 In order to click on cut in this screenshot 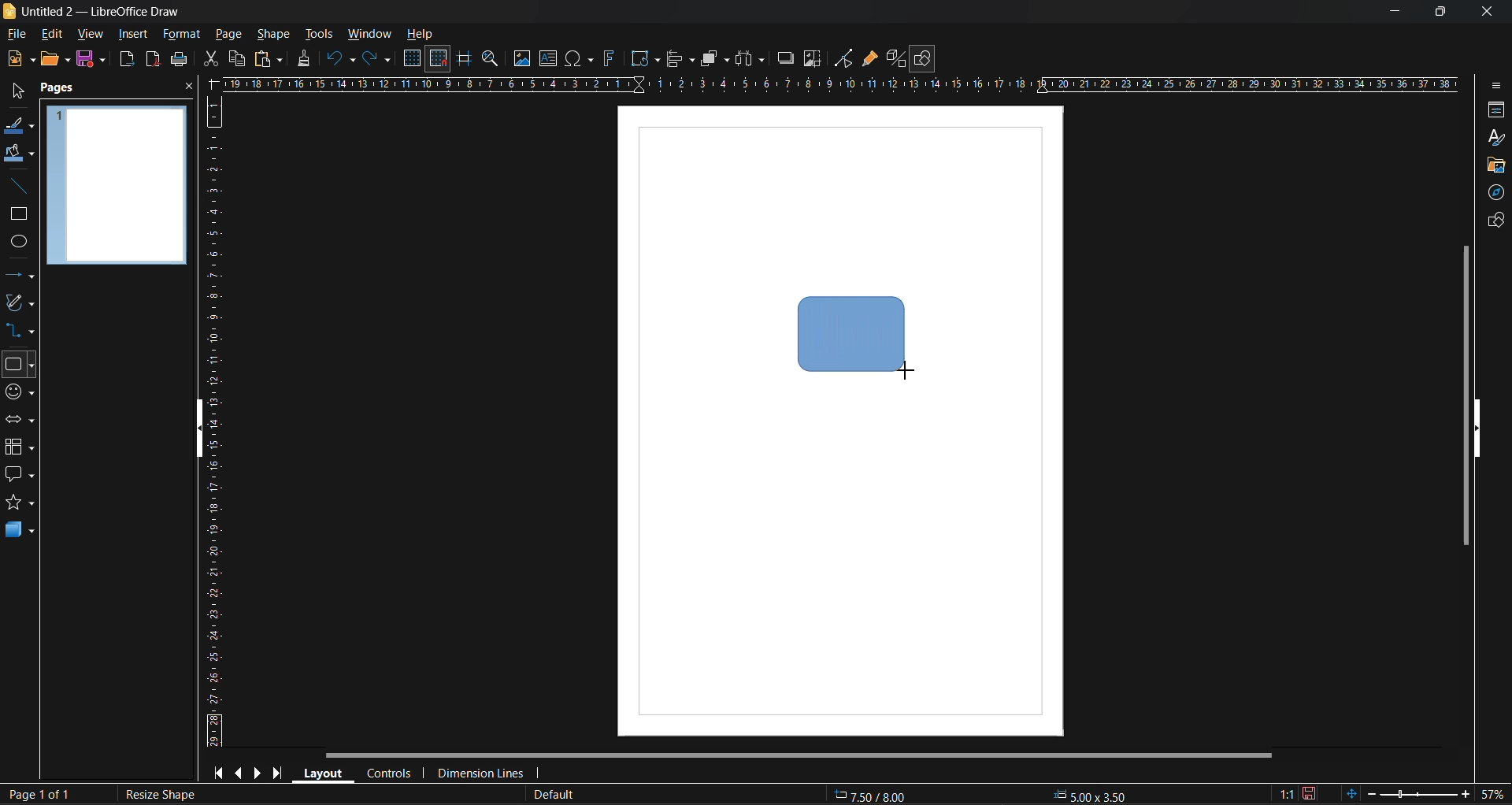, I will do `click(213, 59)`.